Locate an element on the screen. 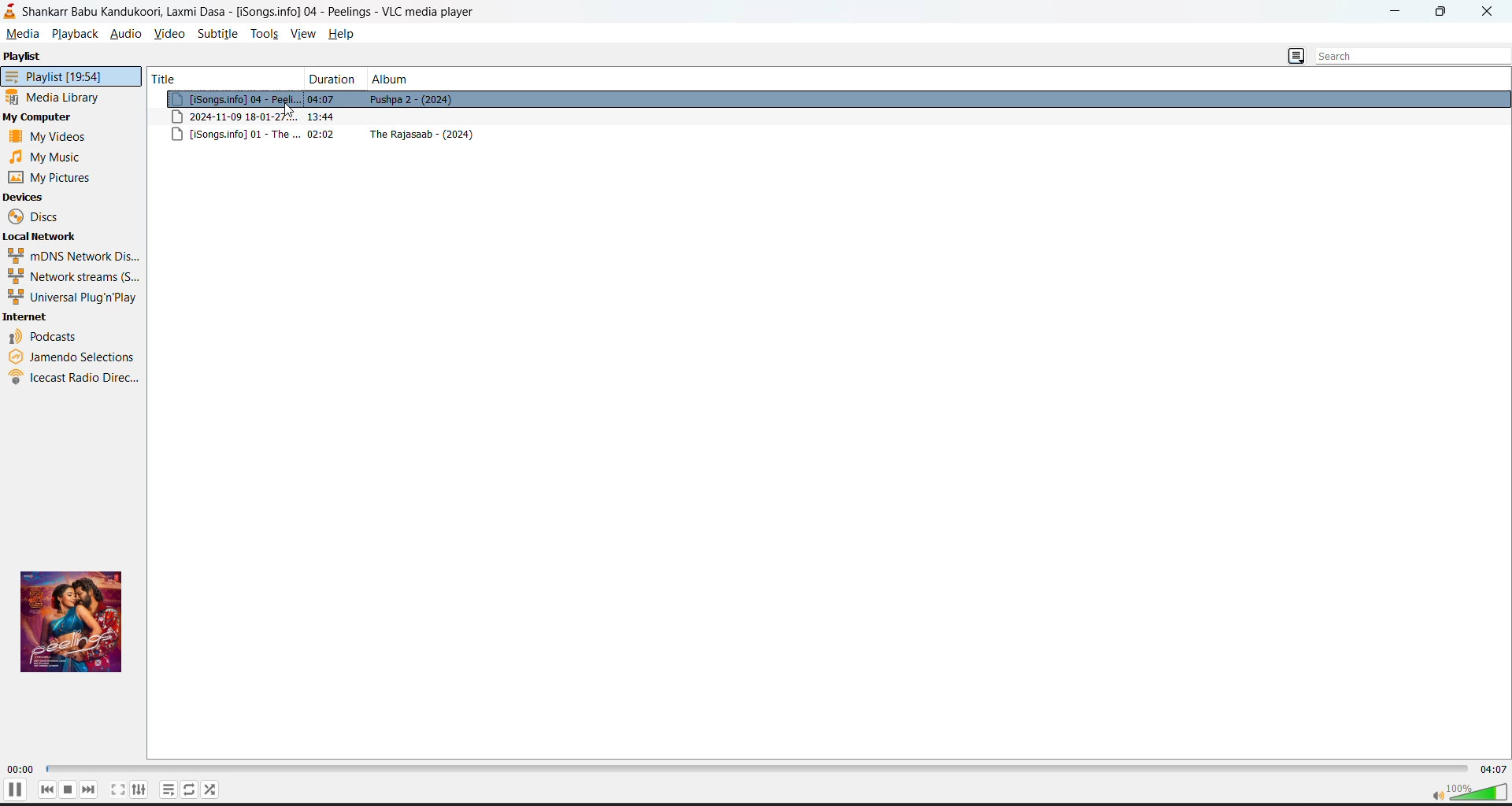  total track time is located at coordinates (1494, 771).